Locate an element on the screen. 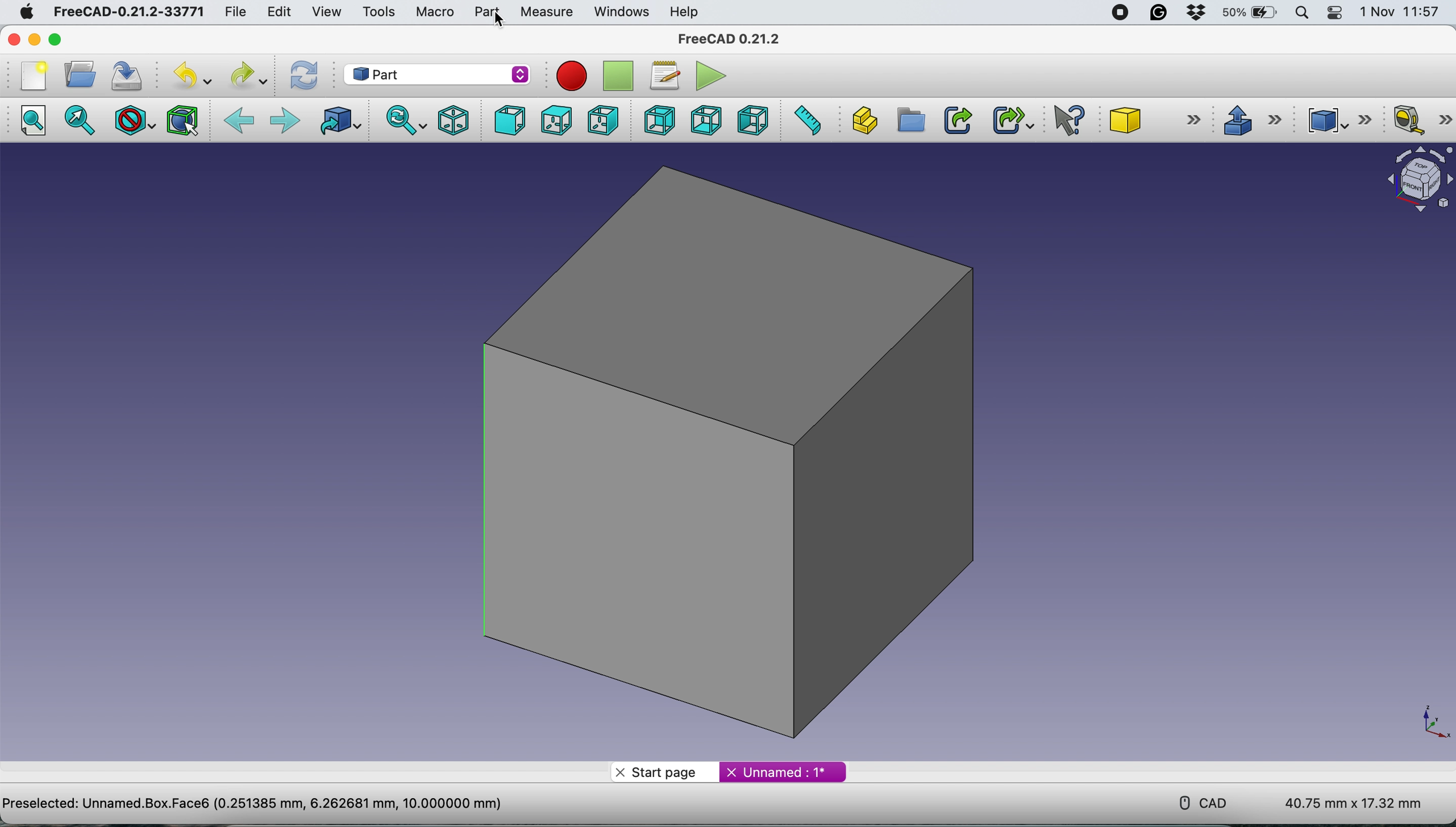  new  is located at coordinates (34, 76).